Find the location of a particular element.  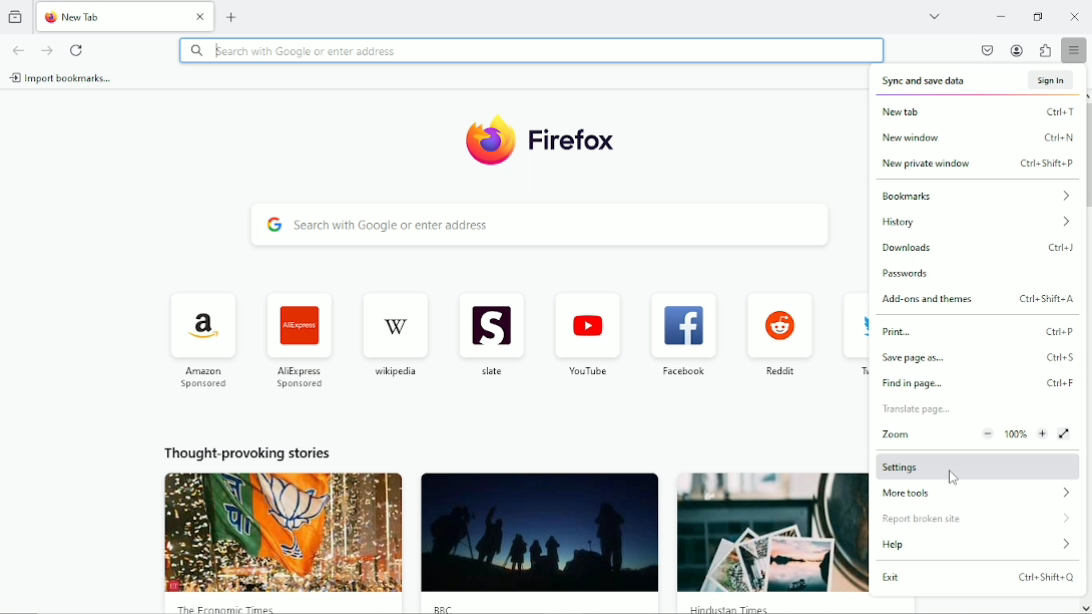

Amazon spnosored is located at coordinates (204, 343).